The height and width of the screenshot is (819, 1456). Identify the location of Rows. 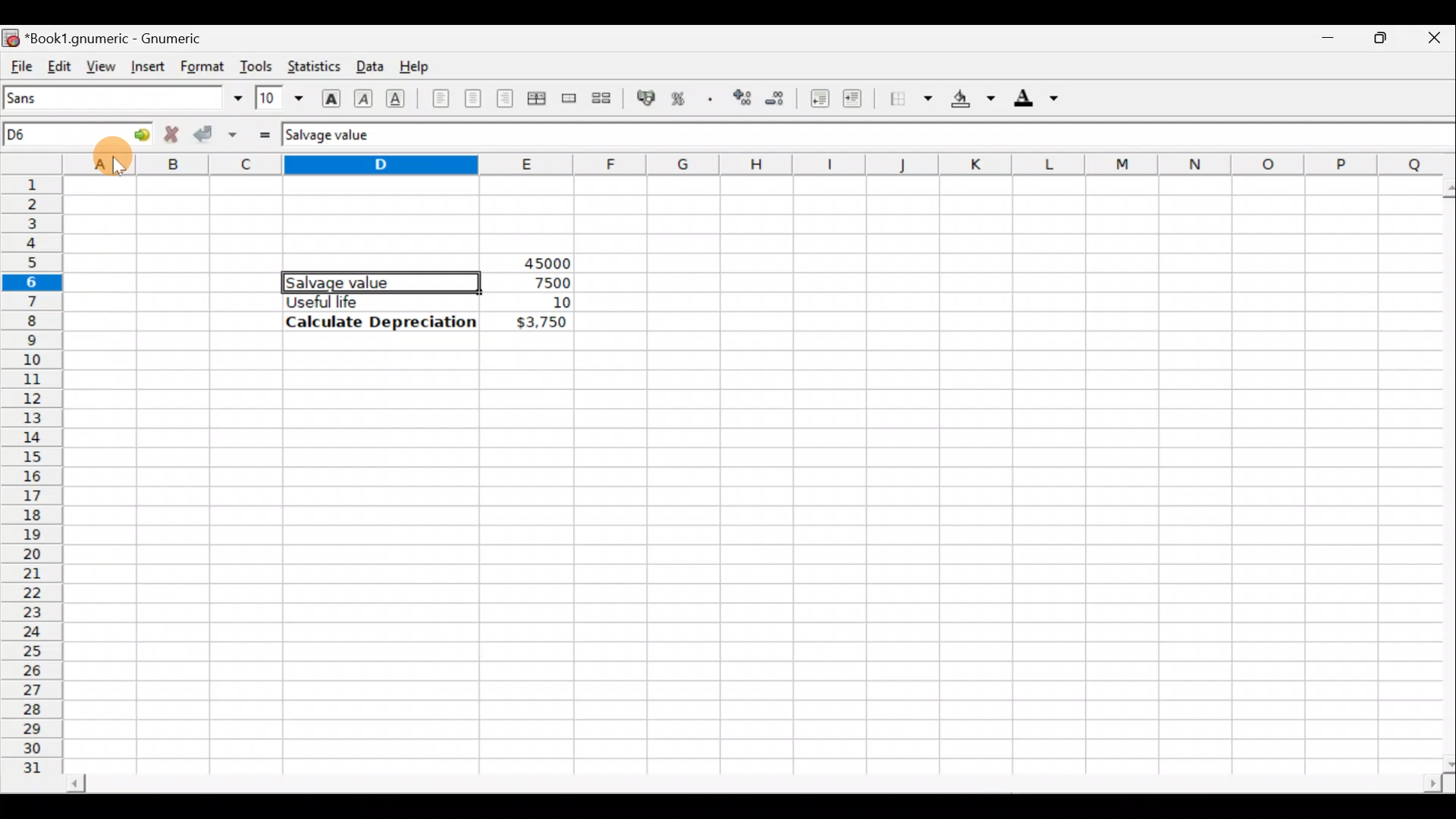
(36, 477).